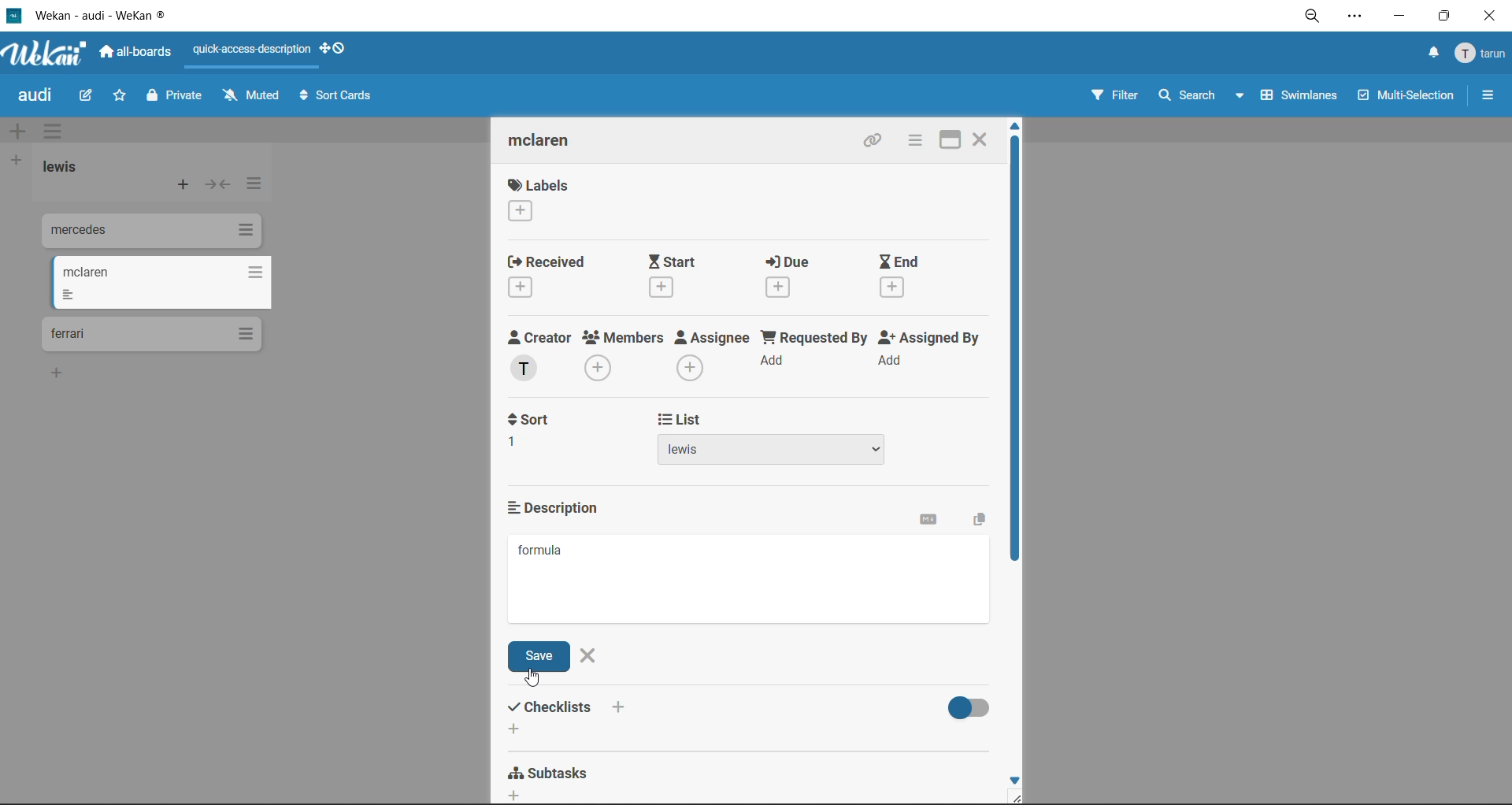  What do you see at coordinates (47, 55) in the screenshot?
I see `app logo` at bounding box center [47, 55].